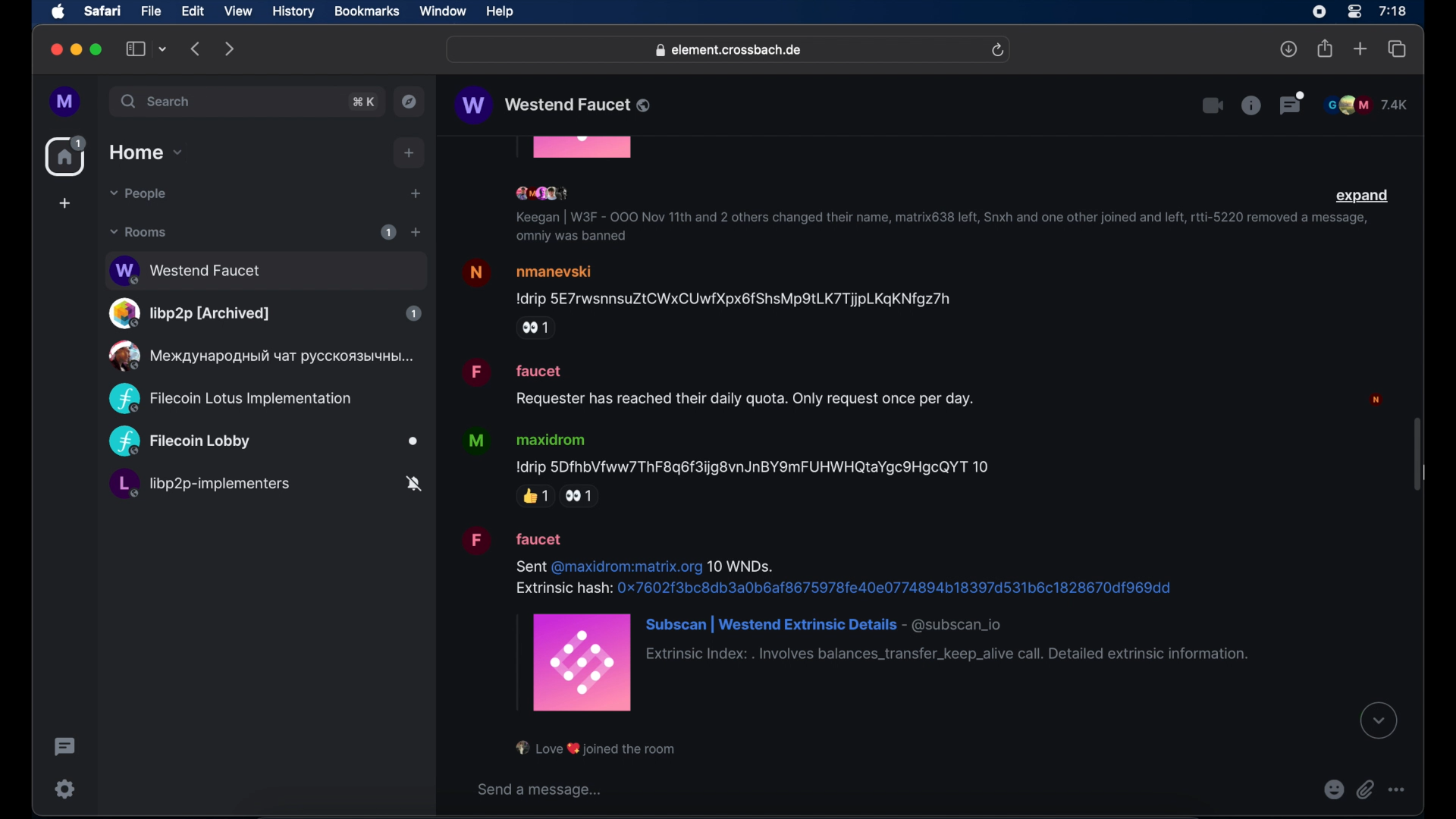 The image size is (1456, 819). I want to click on file, so click(151, 11).